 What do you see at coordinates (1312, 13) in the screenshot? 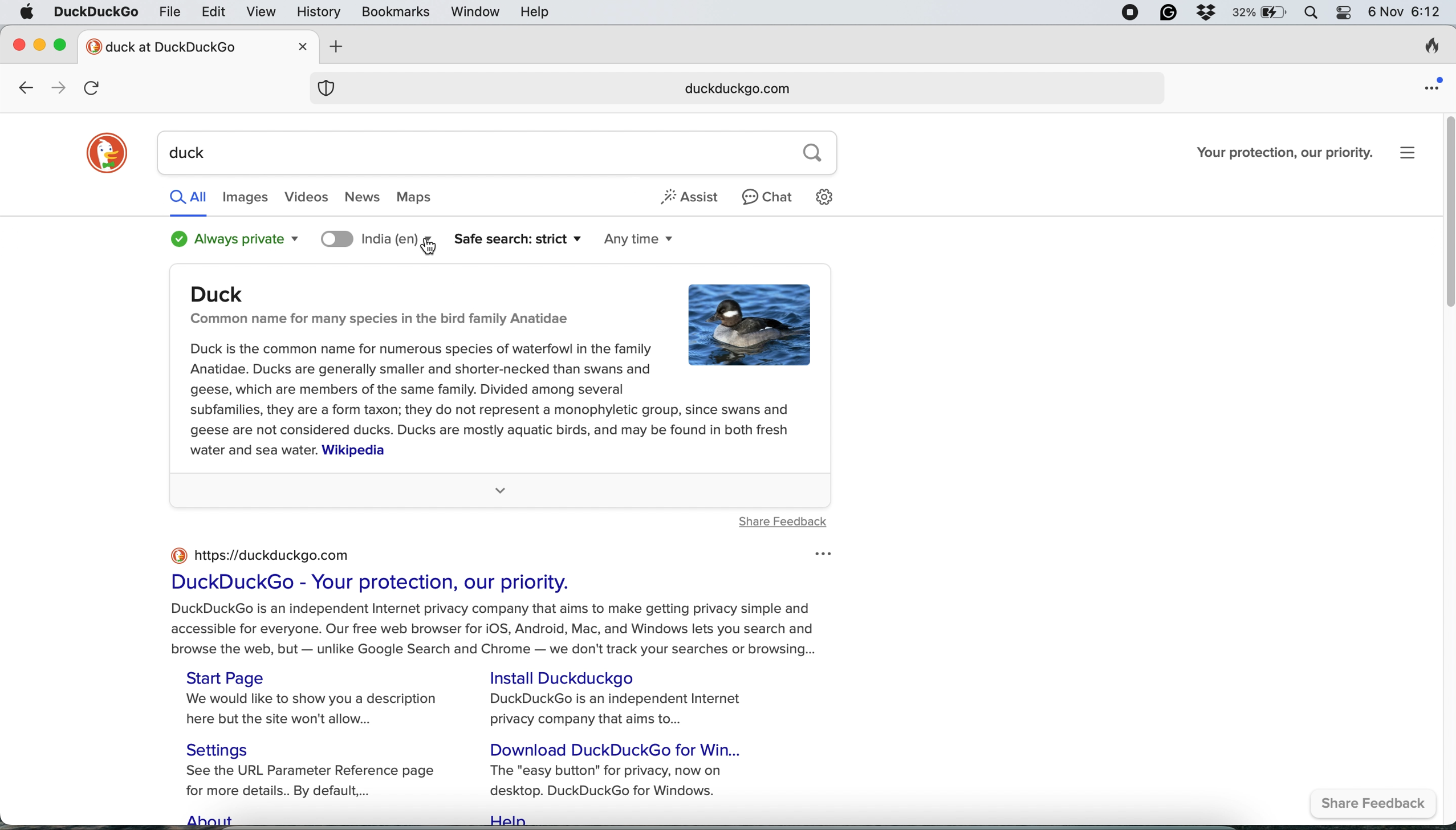
I see `spotlight search` at bounding box center [1312, 13].